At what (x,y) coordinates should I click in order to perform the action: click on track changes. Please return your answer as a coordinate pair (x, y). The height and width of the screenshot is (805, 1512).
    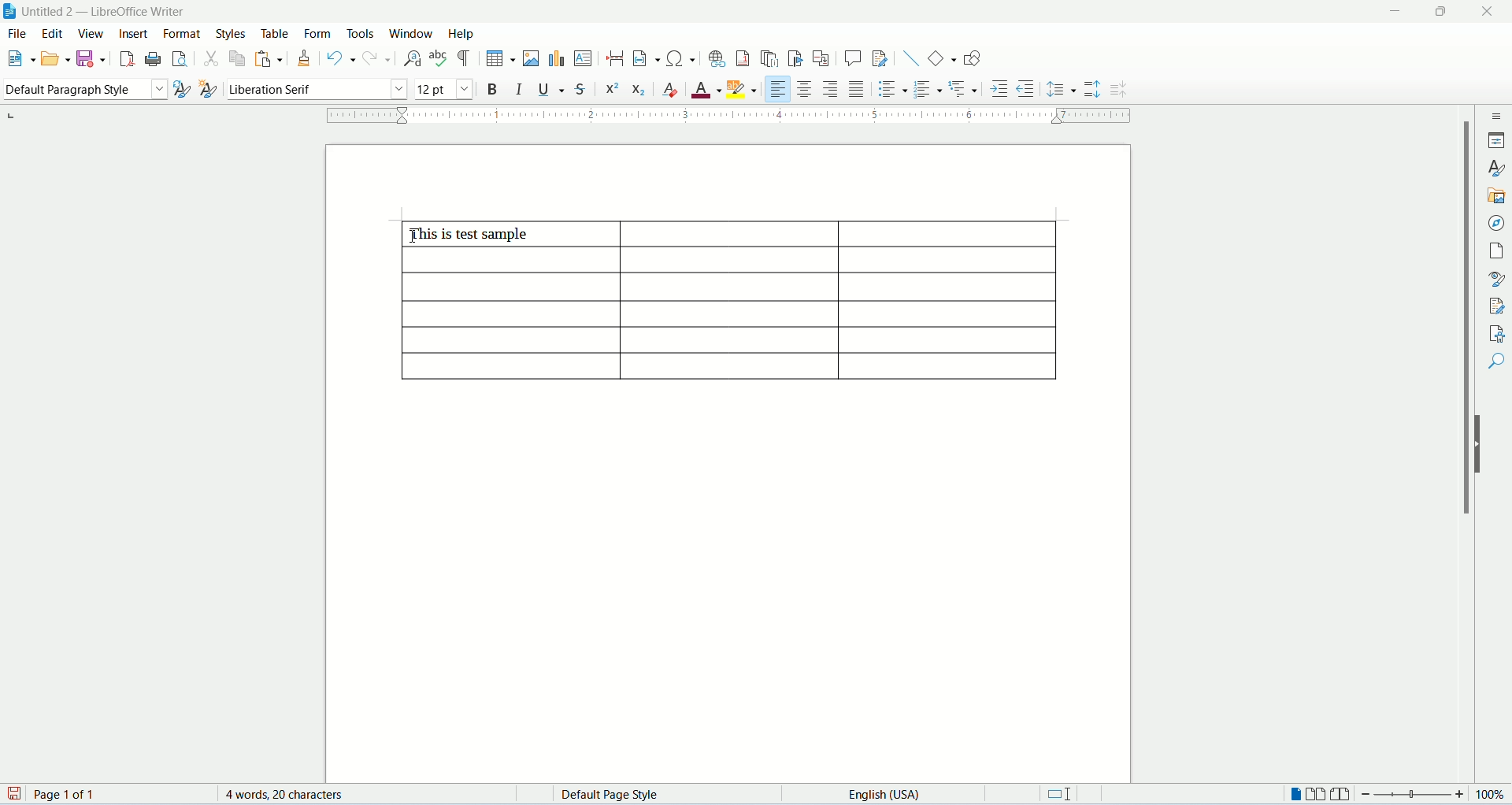
    Looking at the image, I should click on (879, 58).